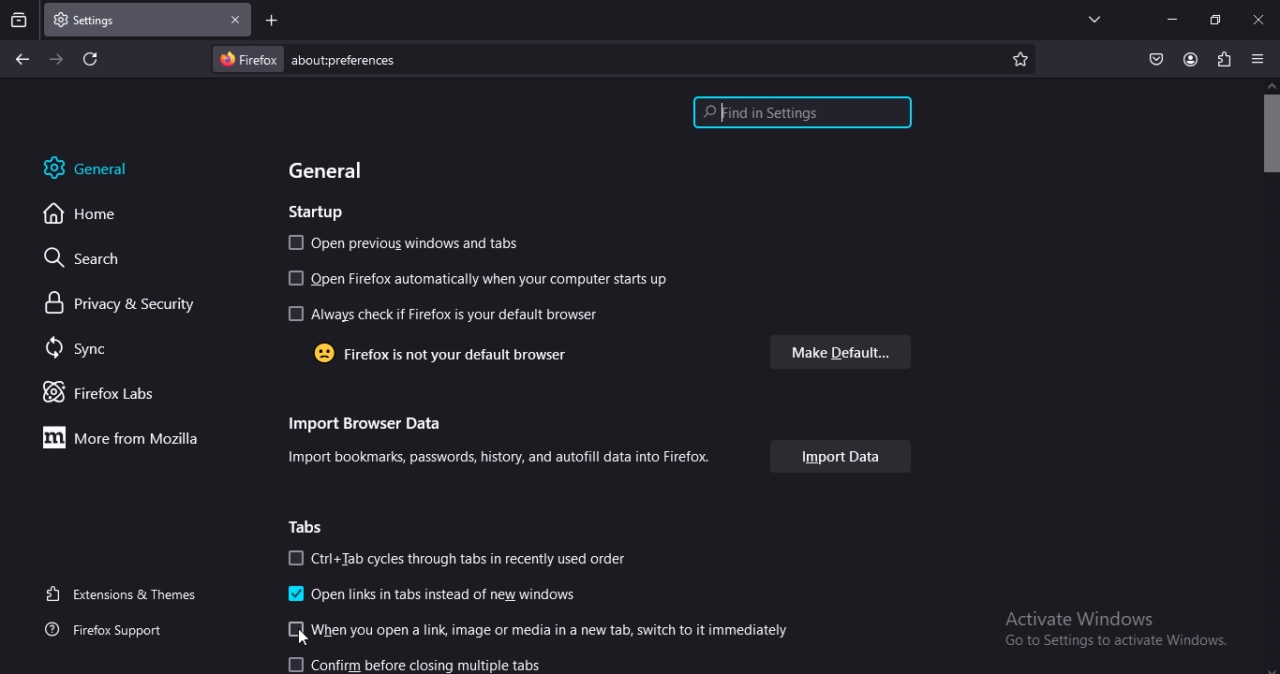 The image size is (1280, 674). I want to click on import browser data, so click(373, 425).